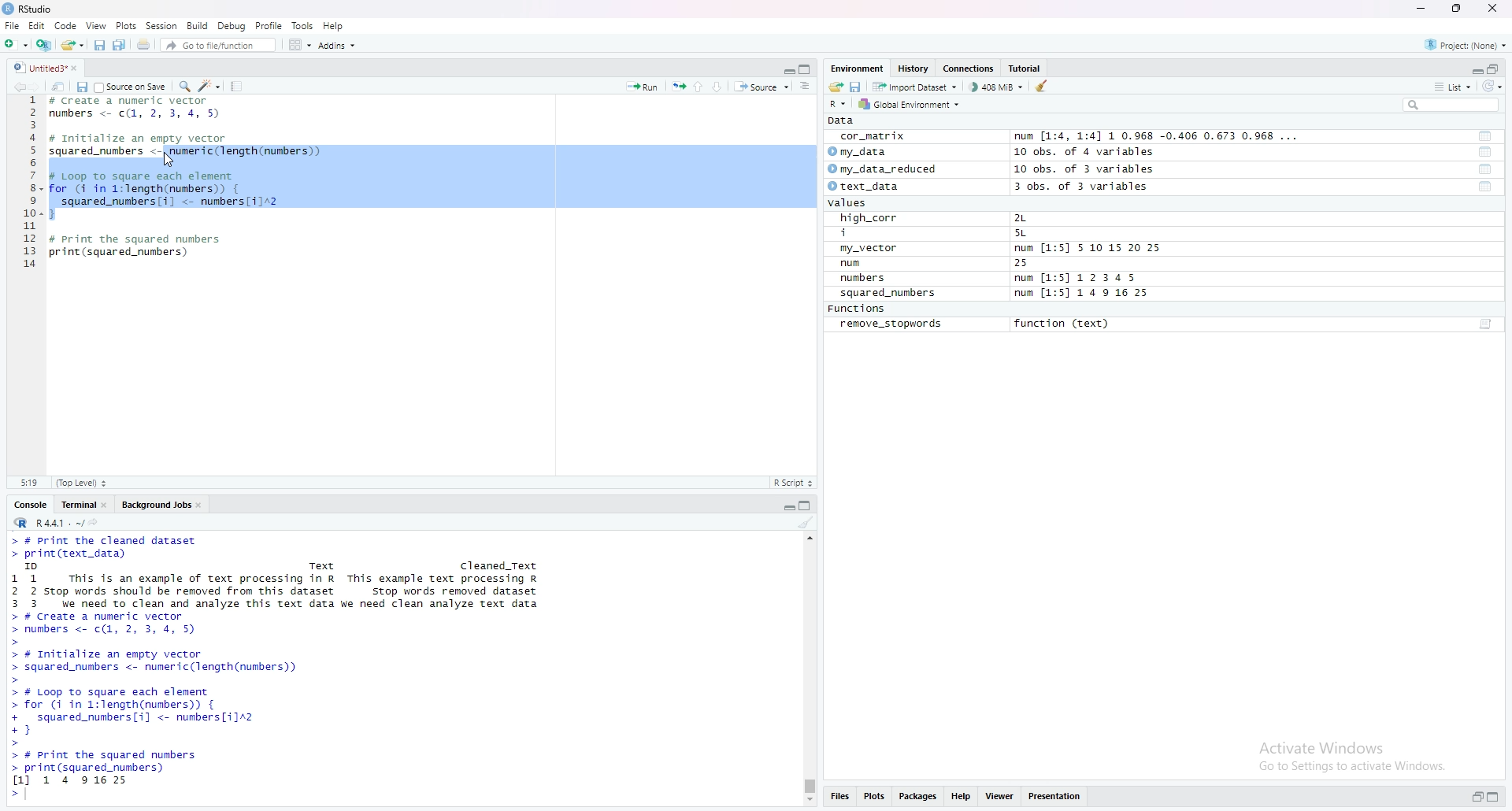  I want to click on # Loop to square each element

for (i in 1:length(nunbers)) {
squared_numbers(i] <- numbers [i142

}, so click(168, 194).